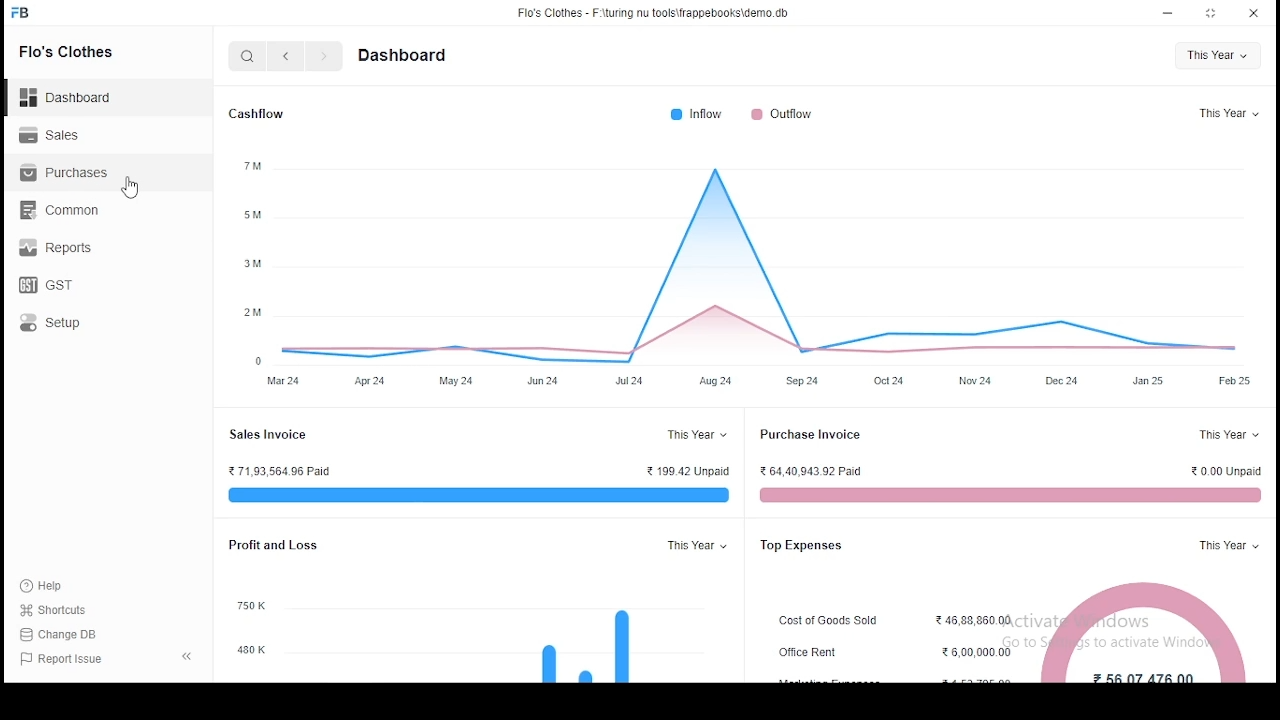 The width and height of the screenshot is (1280, 720). What do you see at coordinates (802, 382) in the screenshot?
I see `sep 24` at bounding box center [802, 382].